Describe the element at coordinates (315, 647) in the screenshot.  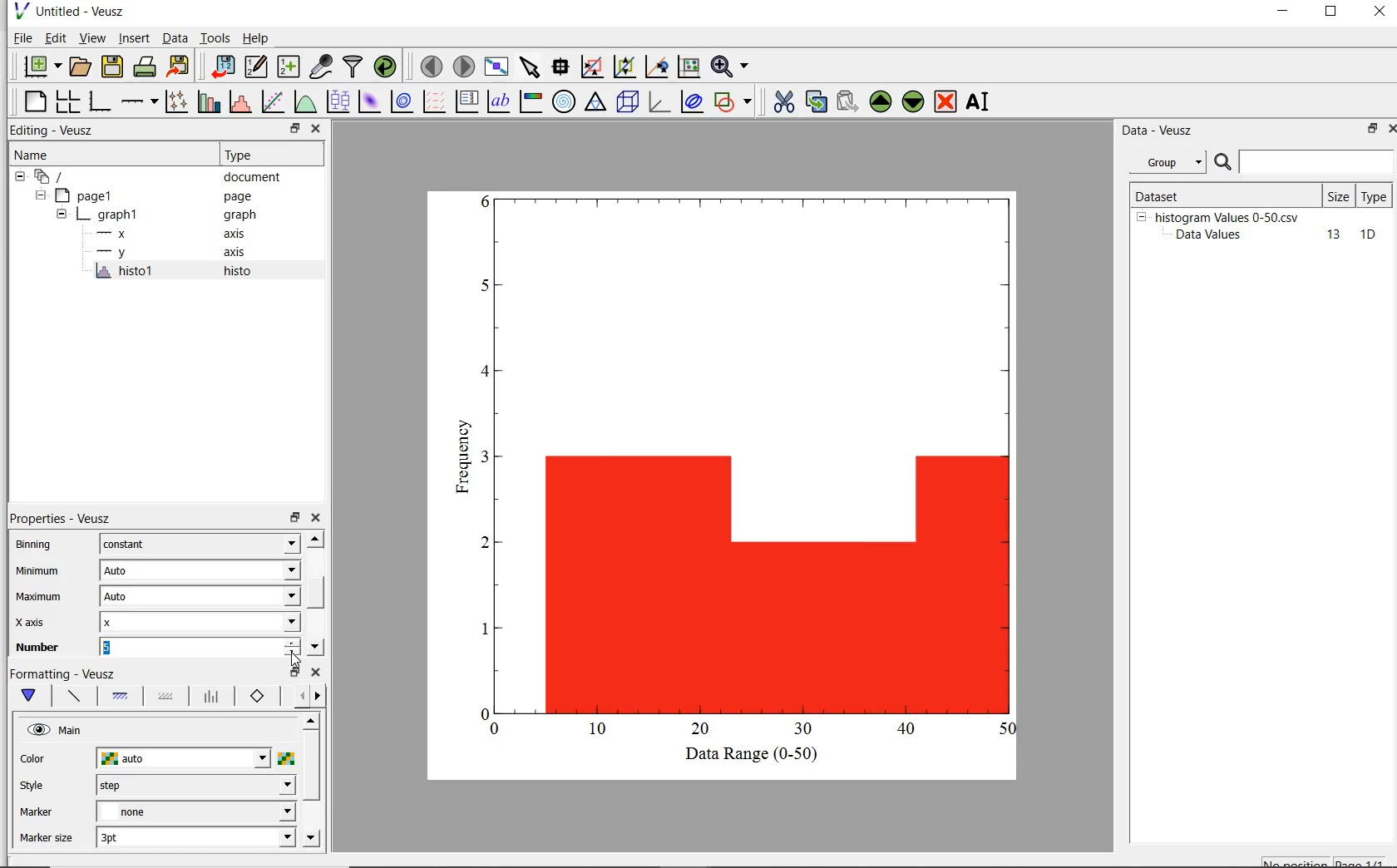
I see `move down` at that location.